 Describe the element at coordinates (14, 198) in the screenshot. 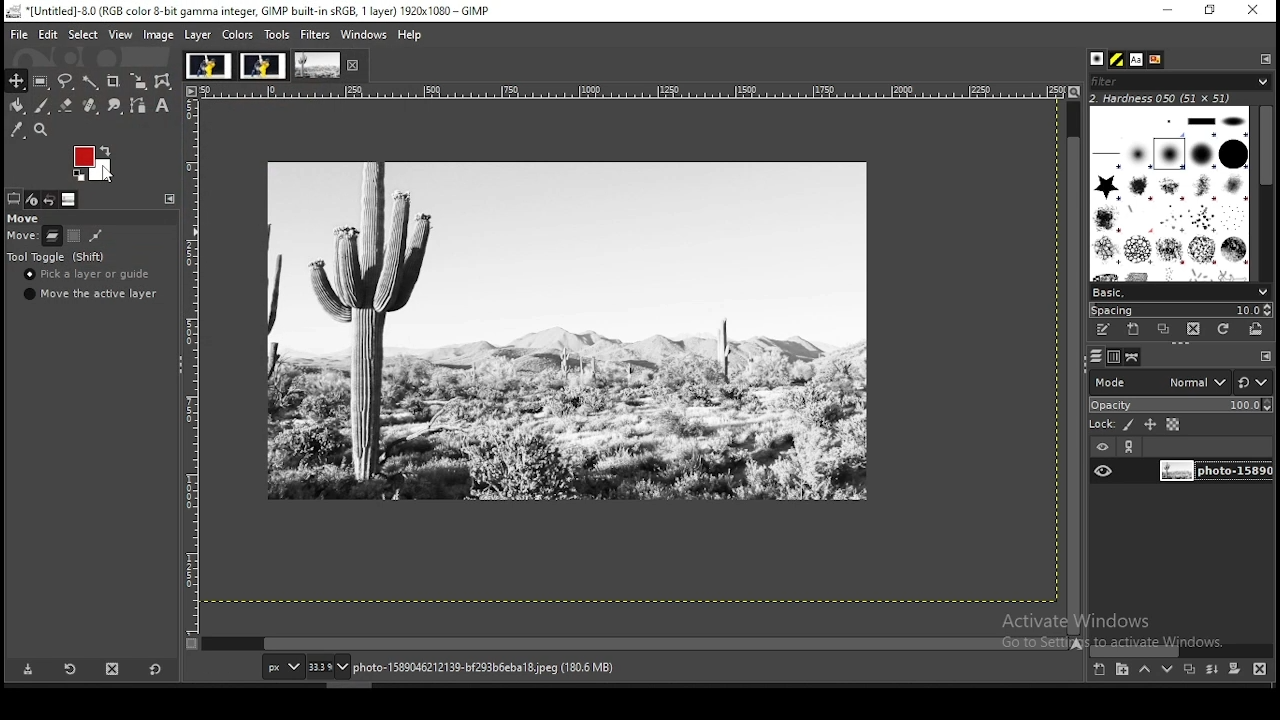

I see `tool selection` at that location.